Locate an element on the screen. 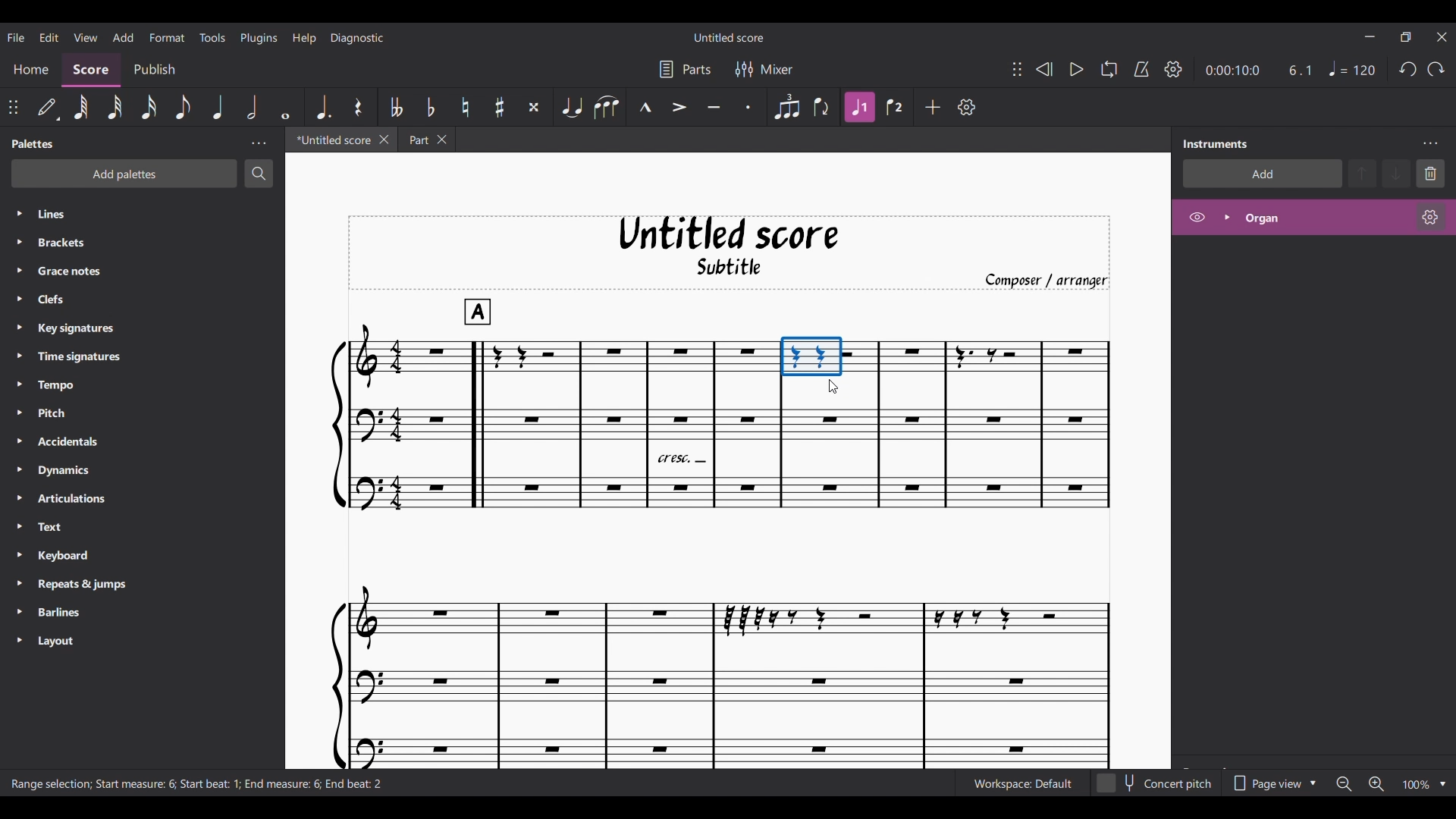  Quarter note is located at coordinates (1351, 68).